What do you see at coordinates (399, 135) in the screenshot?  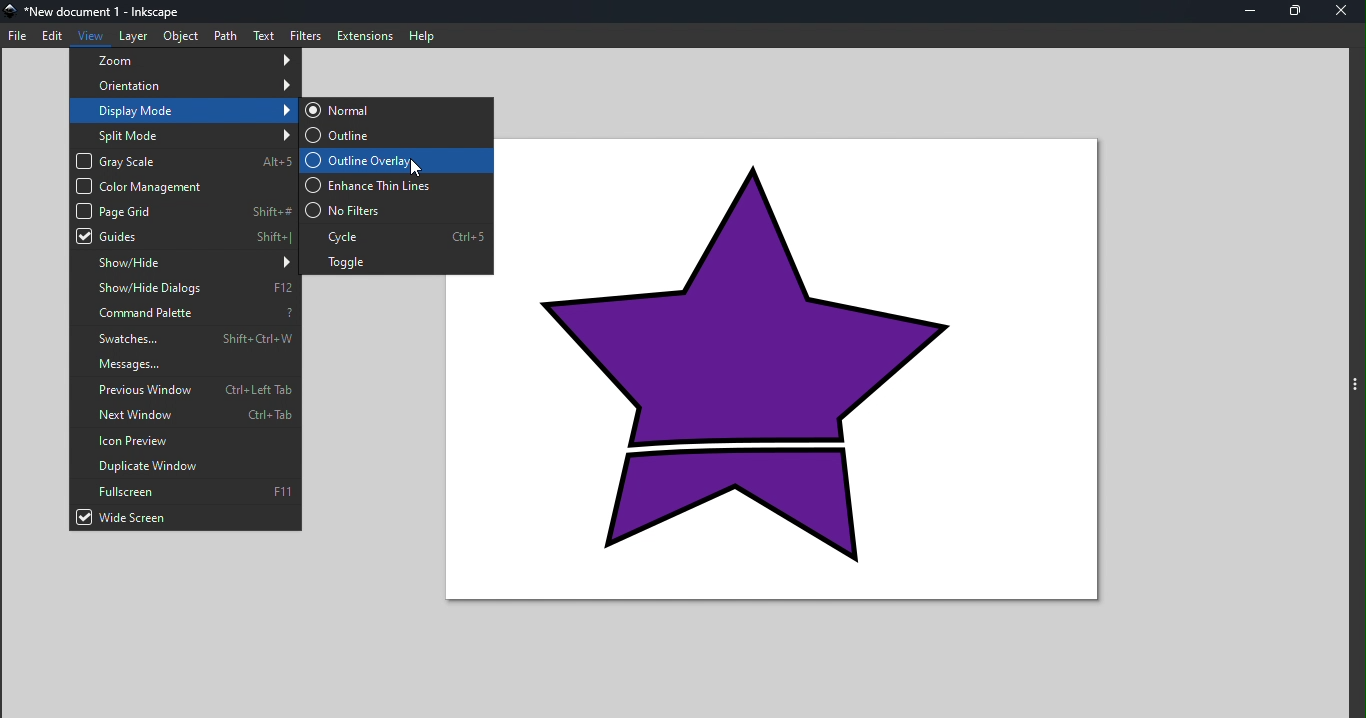 I see `Outline` at bounding box center [399, 135].